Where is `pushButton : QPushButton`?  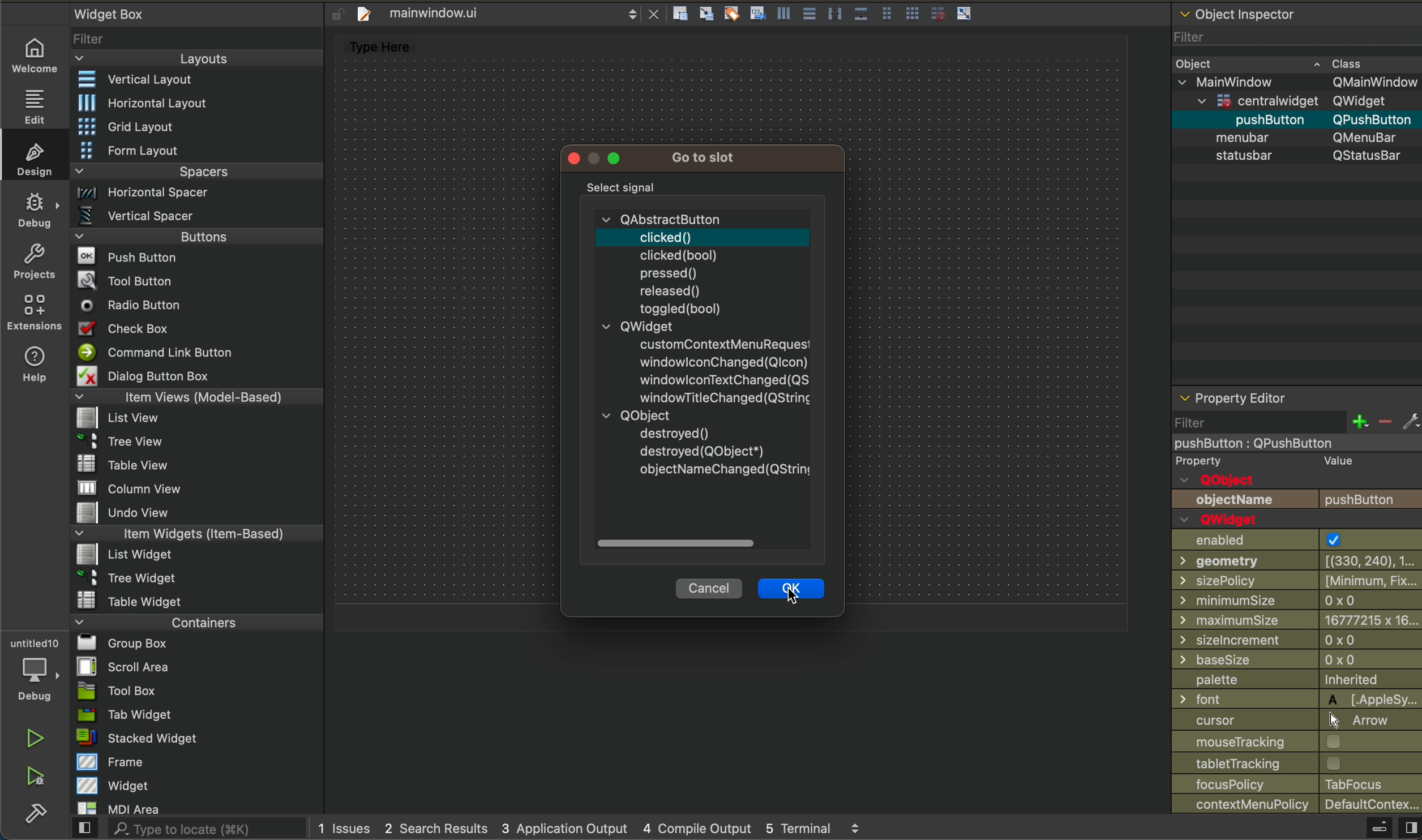 pushButton : QPushButton is located at coordinates (1258, 444).